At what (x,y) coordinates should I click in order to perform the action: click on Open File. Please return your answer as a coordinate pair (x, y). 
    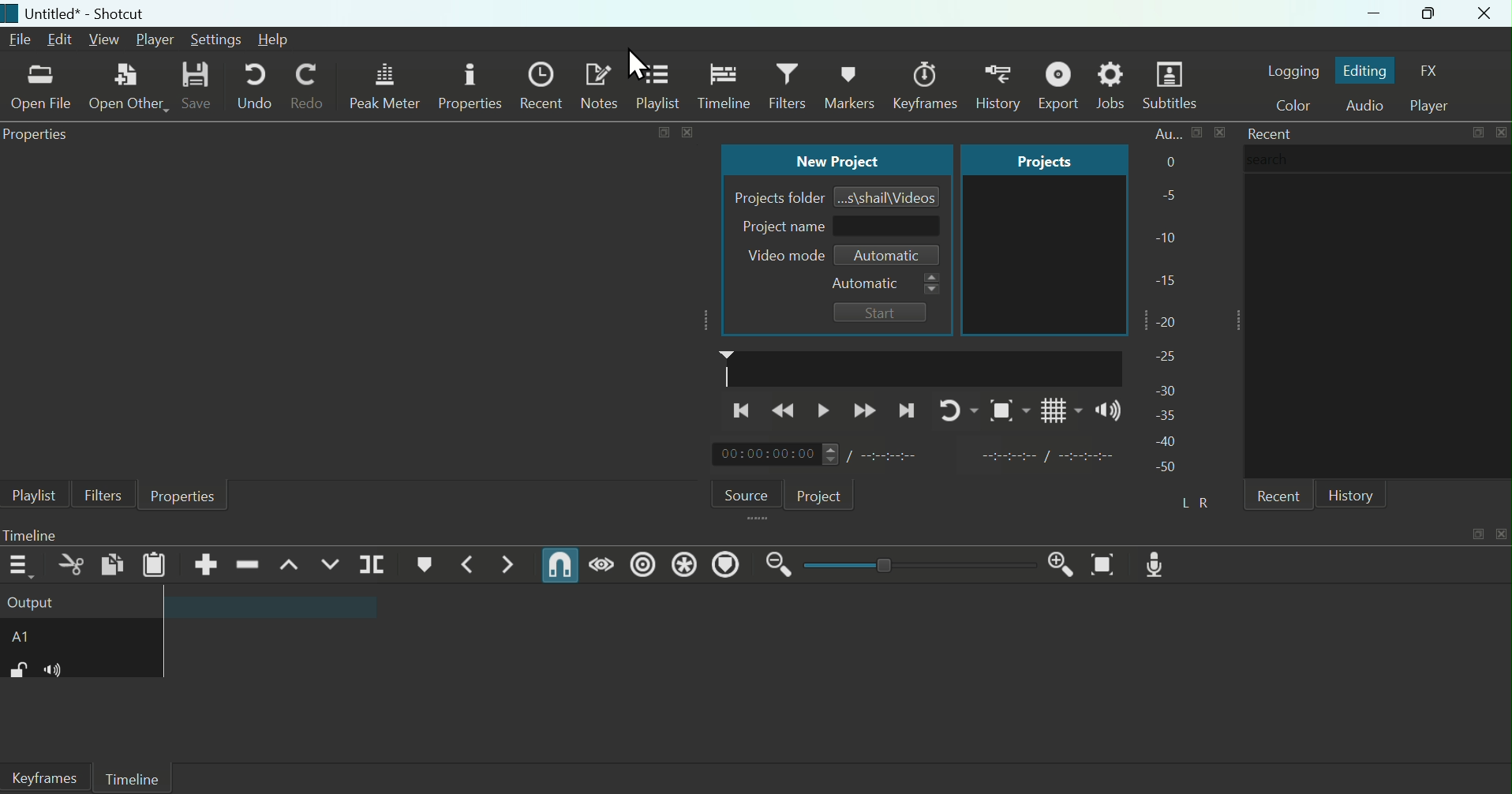
    Looking at the image, I should click on (39, 89).